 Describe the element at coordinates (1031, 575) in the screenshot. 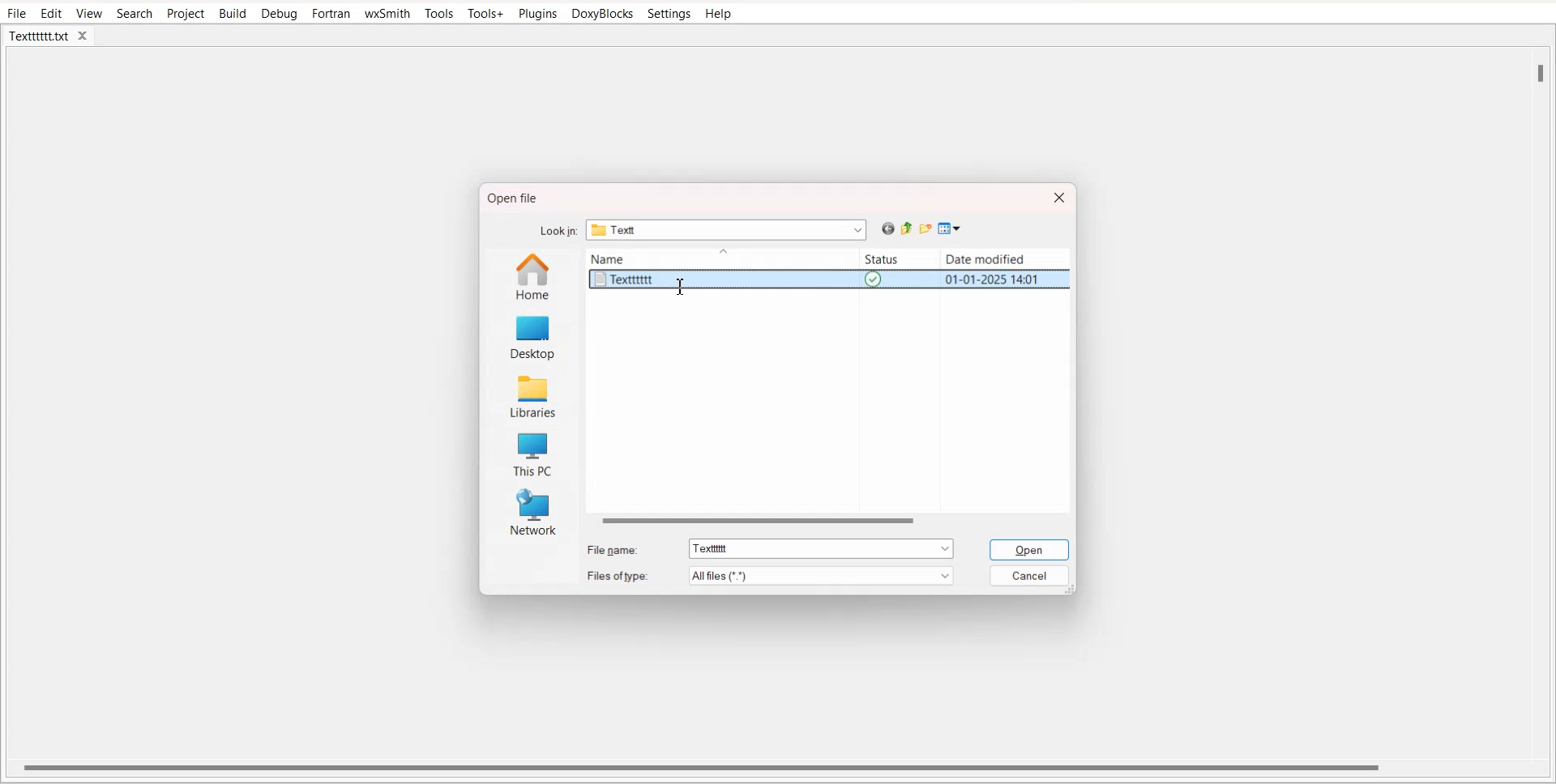

I see `Cancel` at that location.